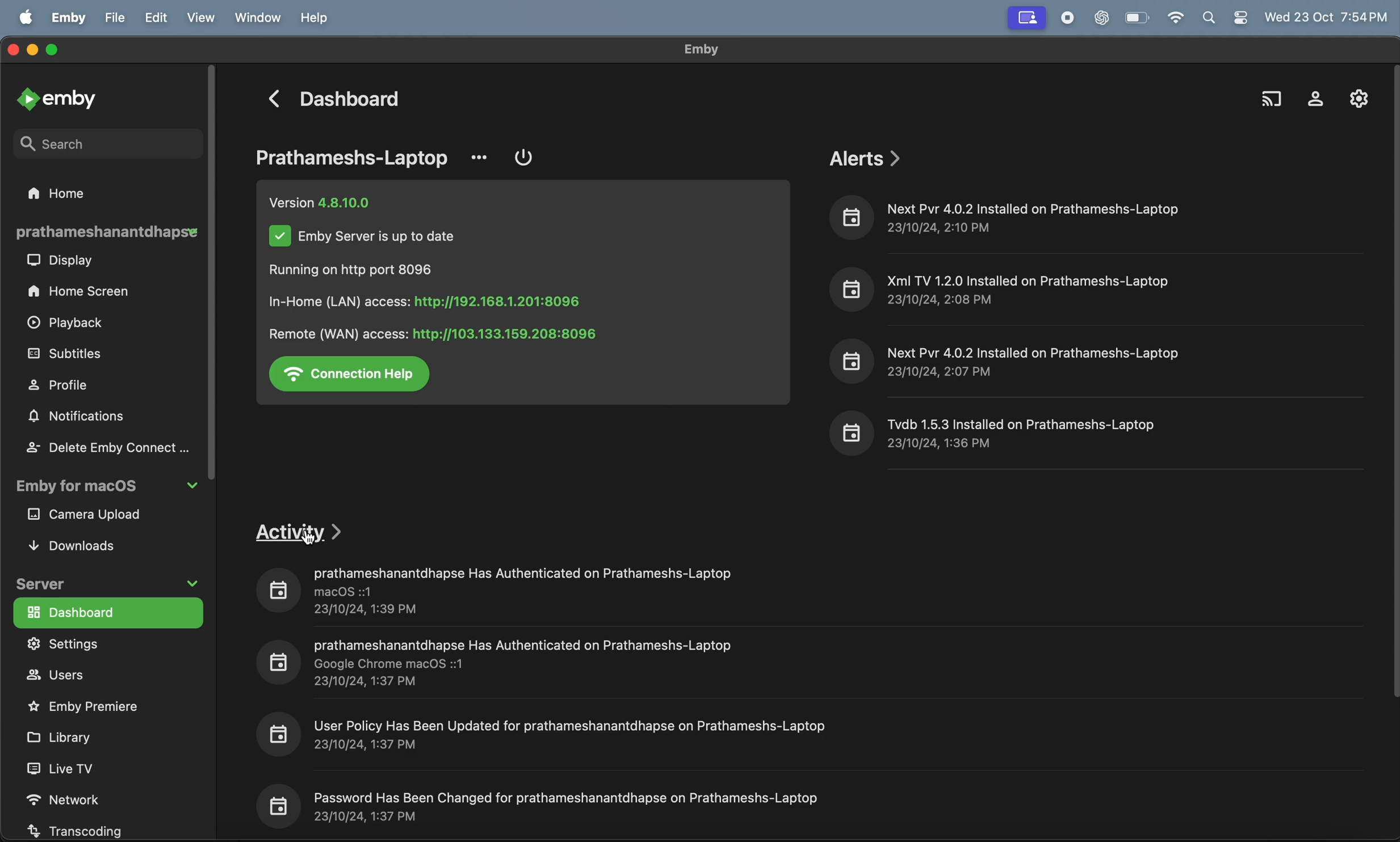  I want to click on 8 Xml TV 1.2.0 Installed on Prathameshs-Laptop
23/10/24, 2:08 PM, so click(1005, 287).